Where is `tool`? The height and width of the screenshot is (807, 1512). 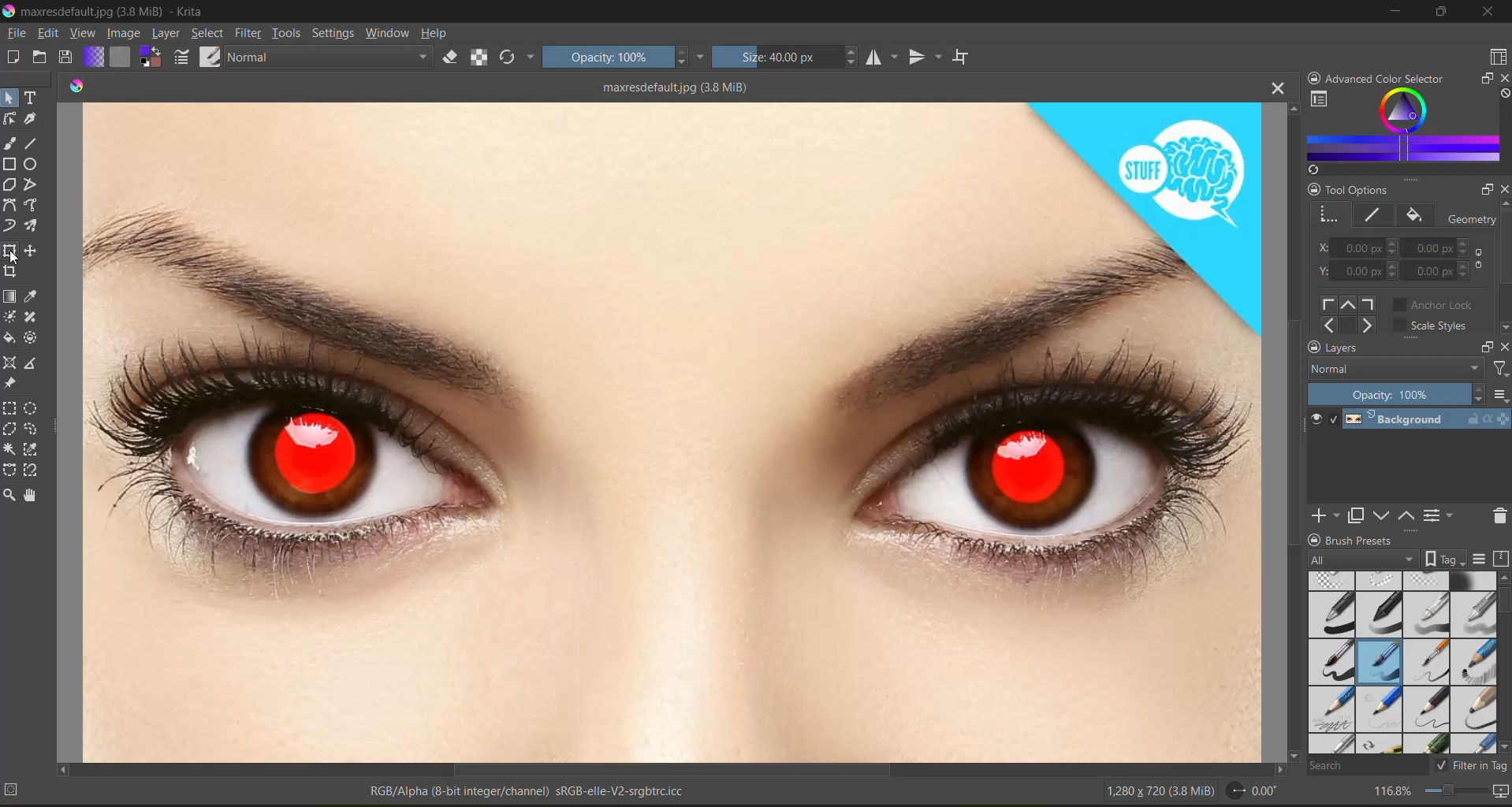 tool is located at coordinates (33, 407).